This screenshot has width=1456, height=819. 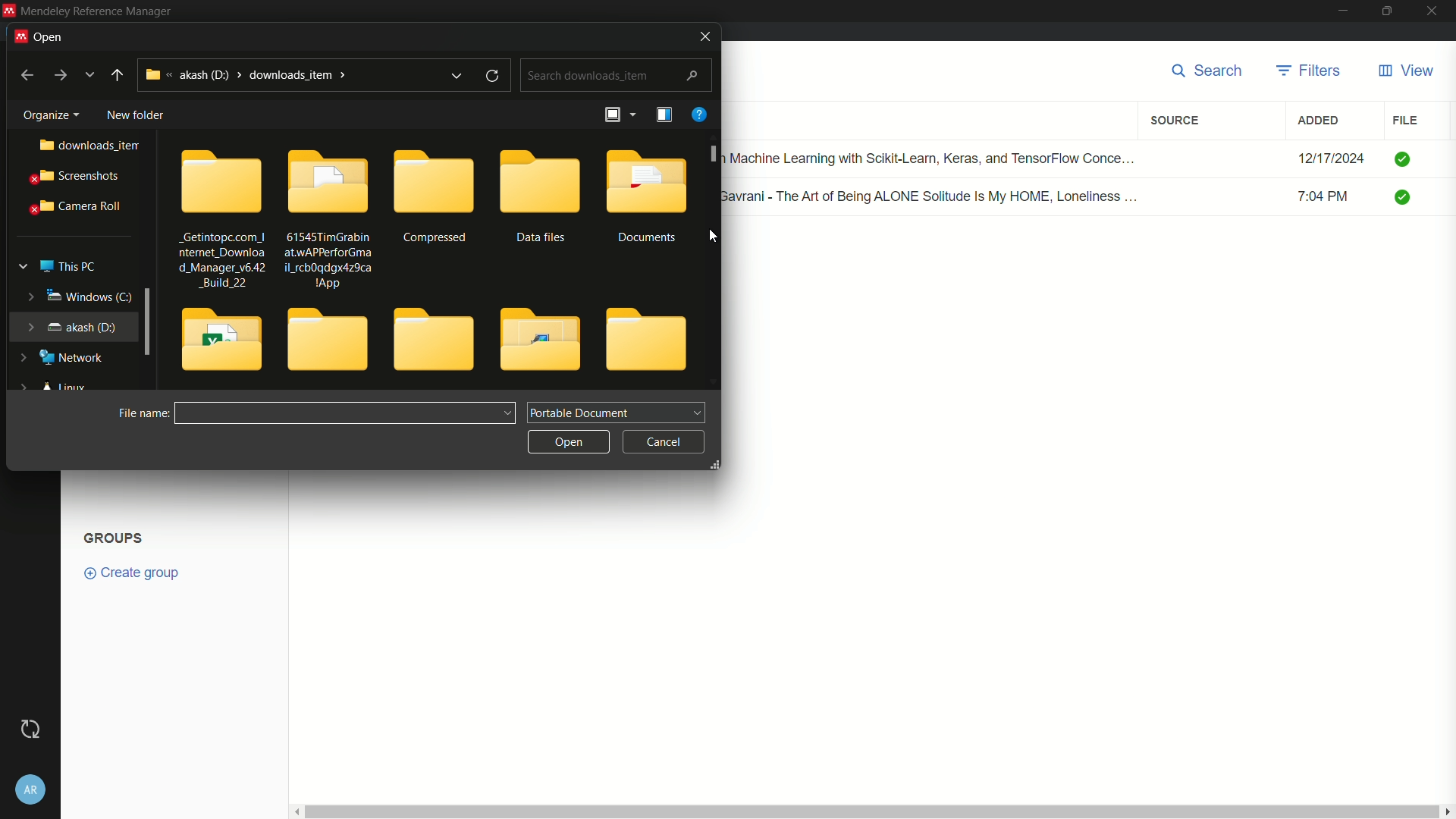 What do you see at coordinates (143, 413) in the screenshot?
I see `file name: ` at bounding box center [143, 413].